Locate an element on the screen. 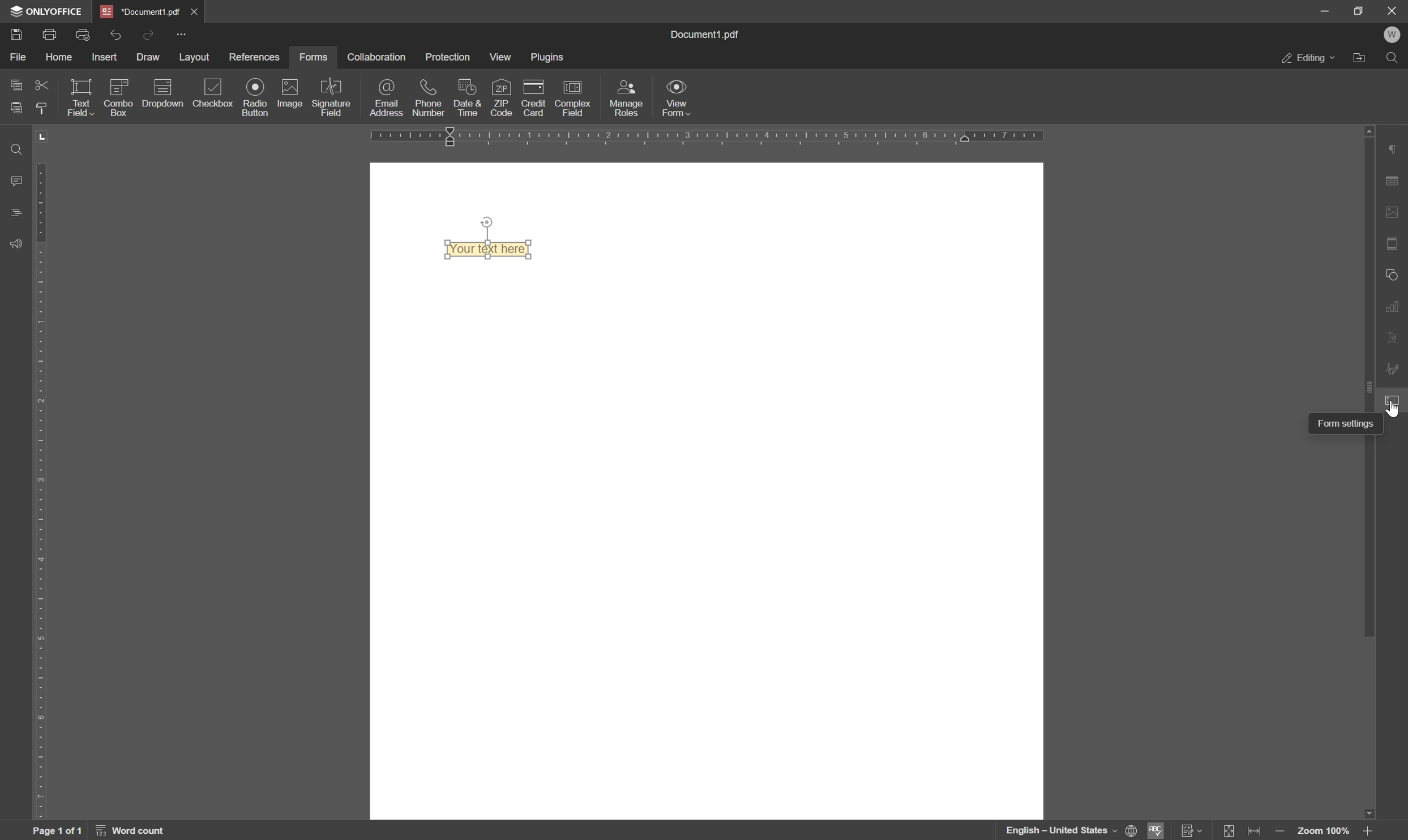 This screenshot has width=1408, height=840. icon is located at coordinates (118, 87).